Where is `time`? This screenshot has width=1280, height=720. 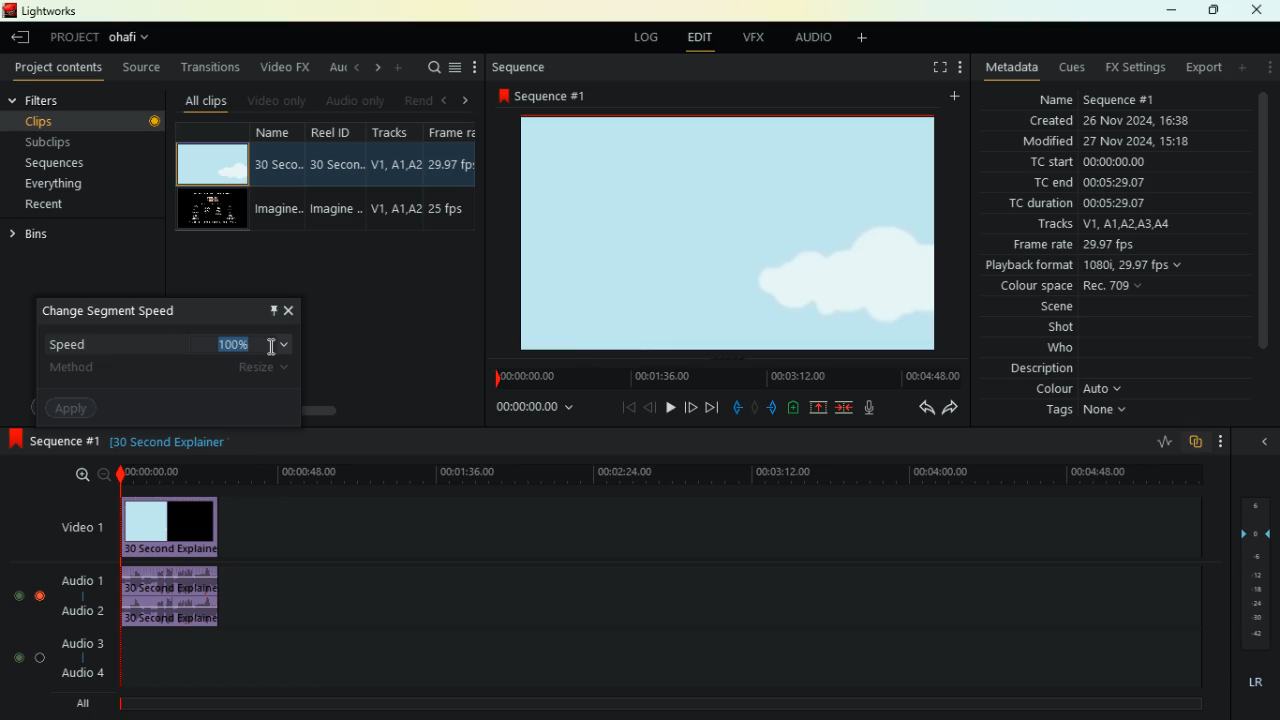
time is located at coordinates (722, 376).